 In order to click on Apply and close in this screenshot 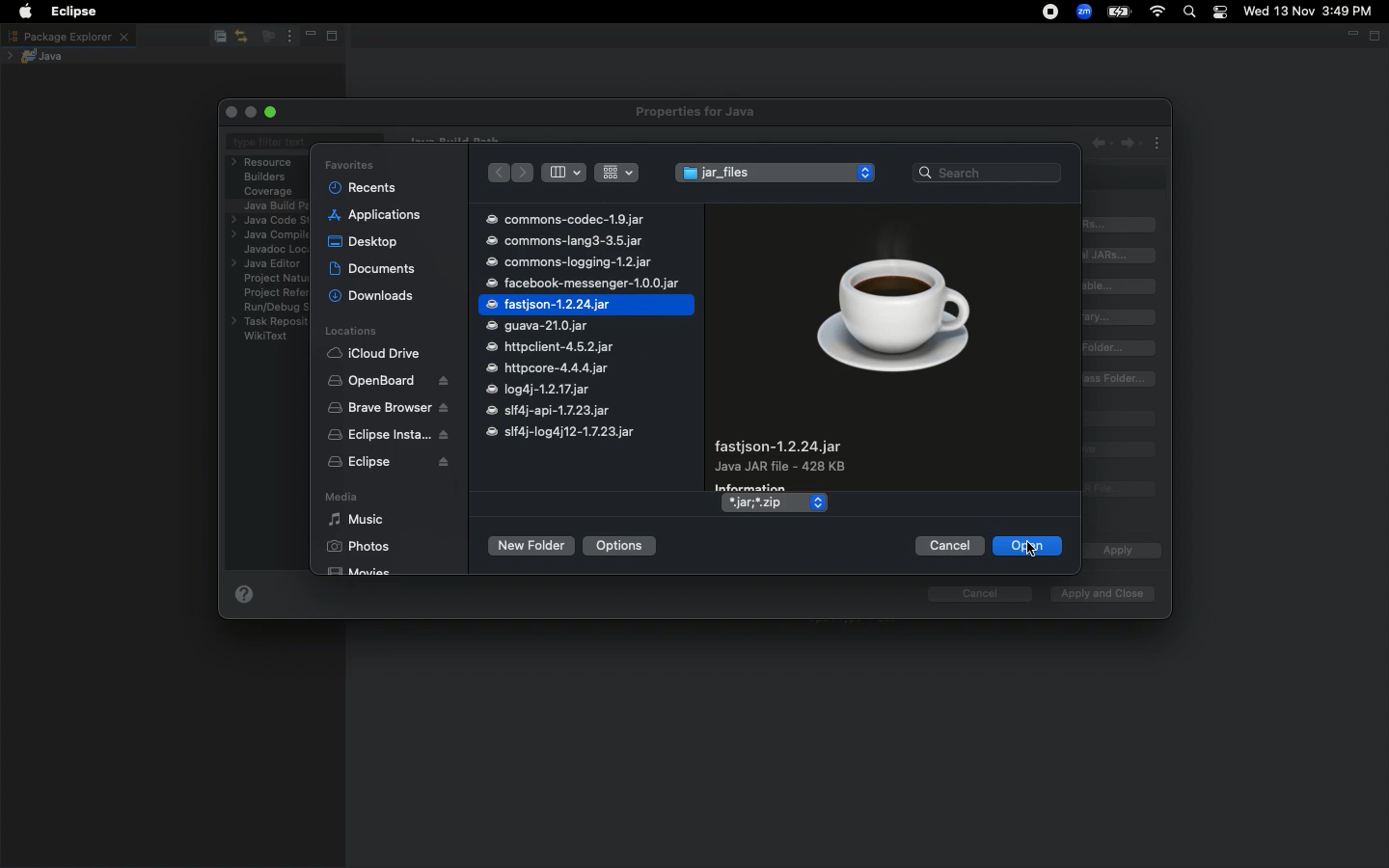, I will do `click(1098, 594)`.